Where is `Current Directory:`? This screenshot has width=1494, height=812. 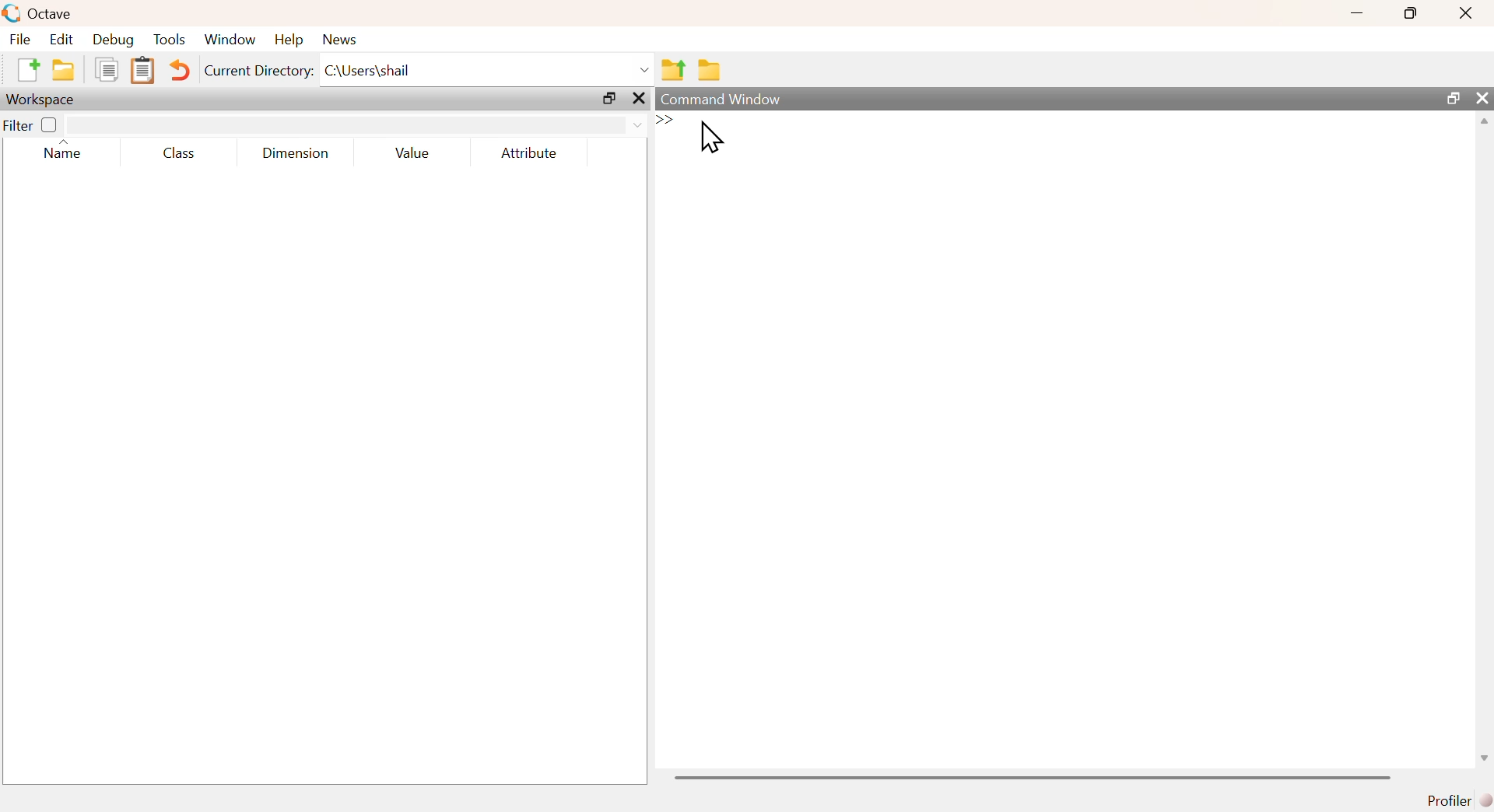 Current Directory: is located at coordinates (256, 72).